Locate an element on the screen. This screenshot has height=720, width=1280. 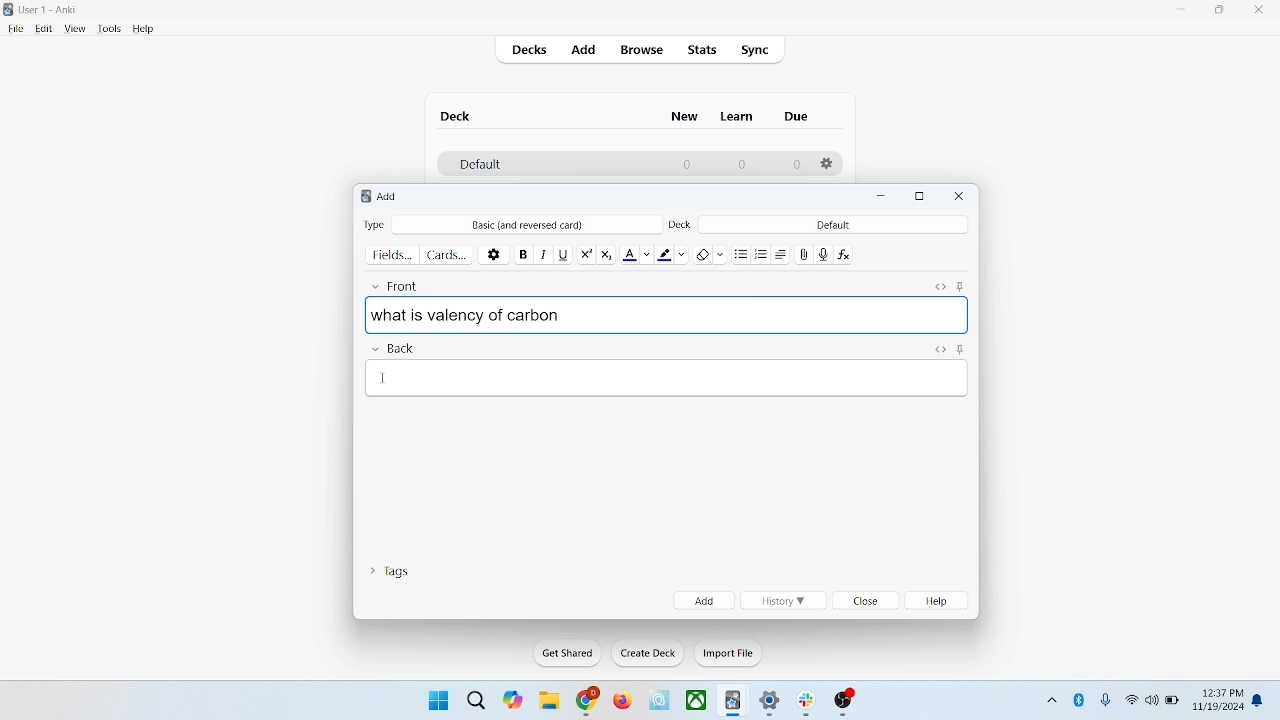
options is located at coordinates (828, 164).